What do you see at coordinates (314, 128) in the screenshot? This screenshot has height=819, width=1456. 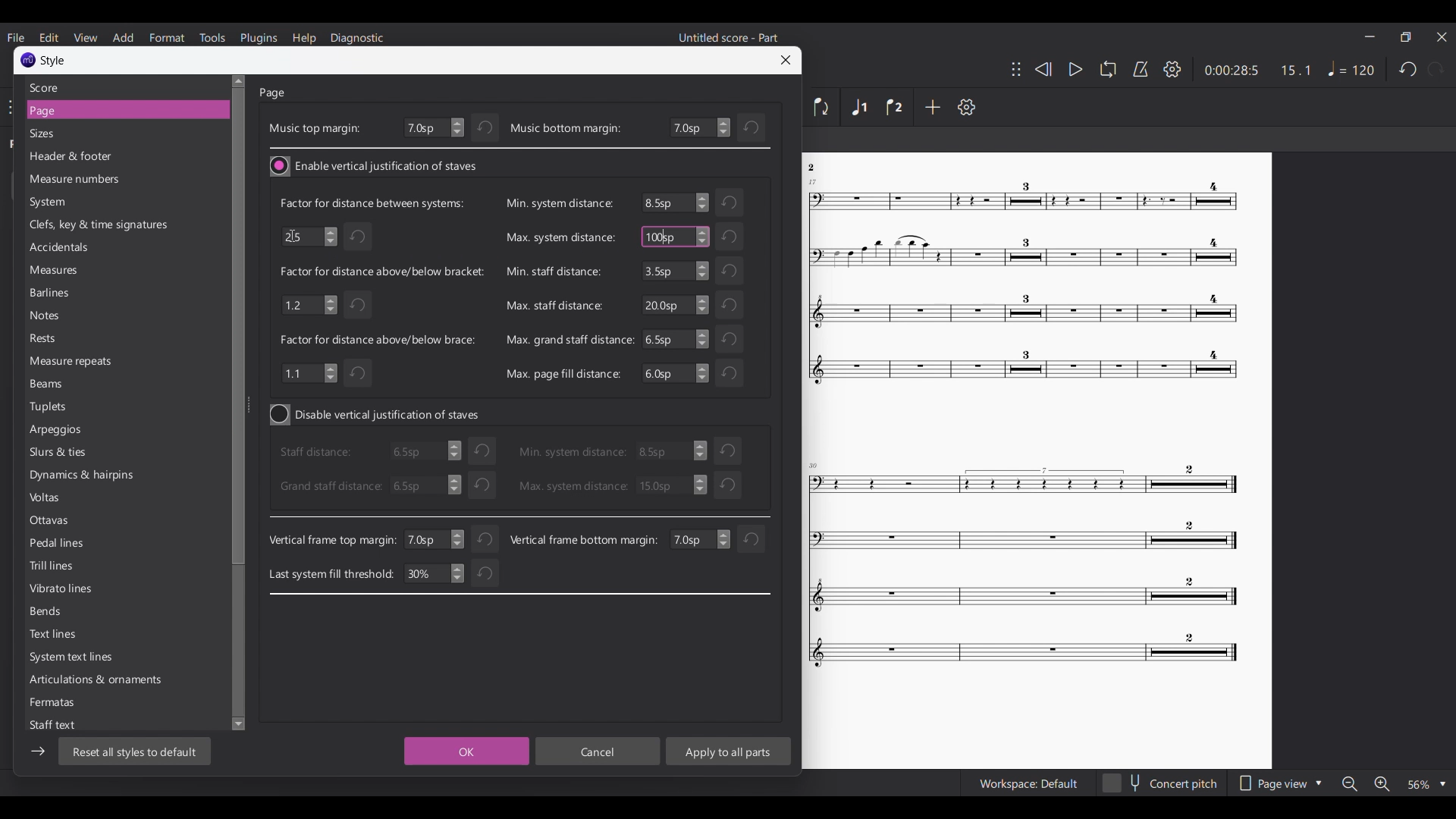 I see `Music top margin` at bounding box center [314, 128].